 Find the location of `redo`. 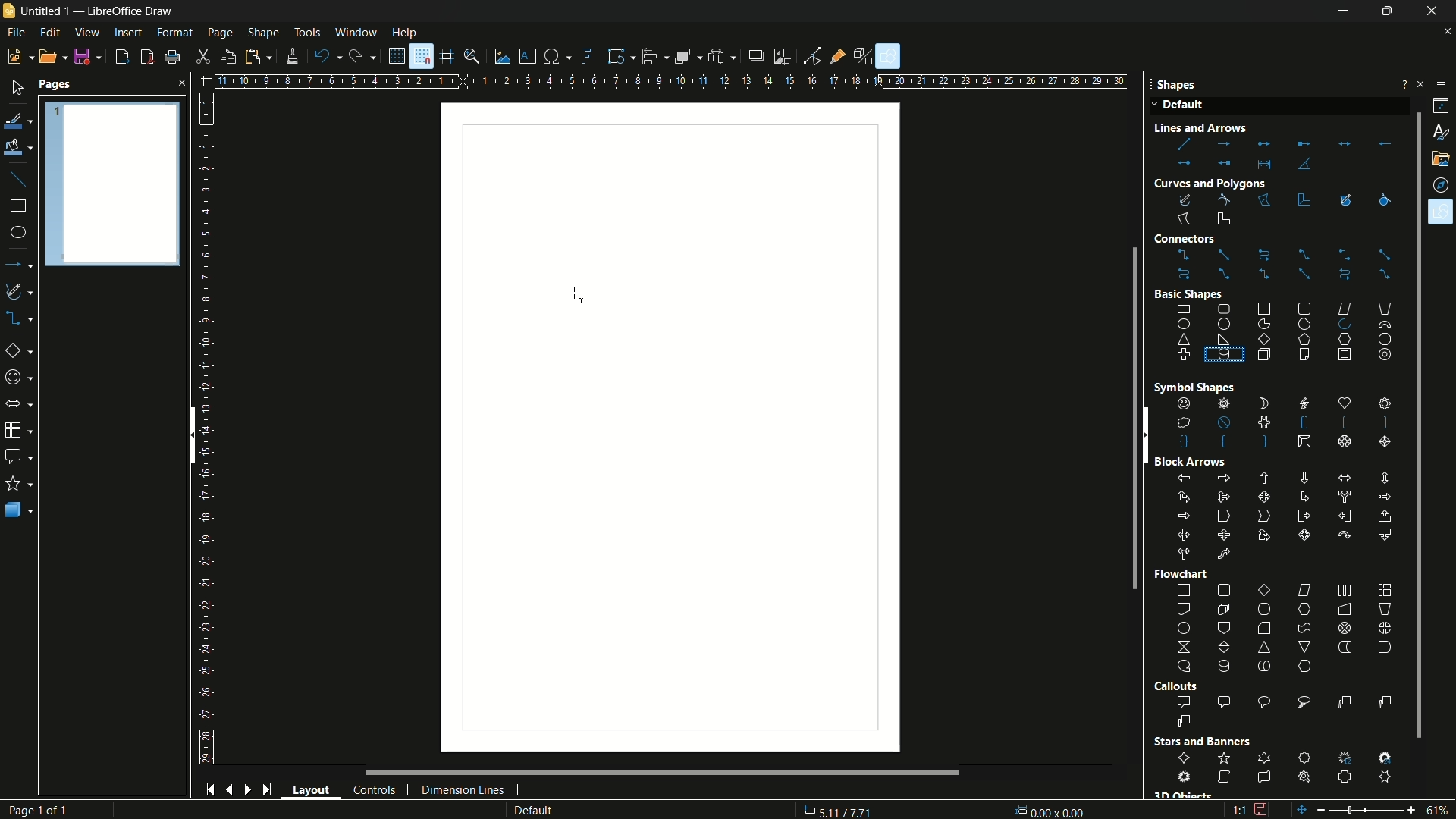

redo is located at coordinates (362, 55).